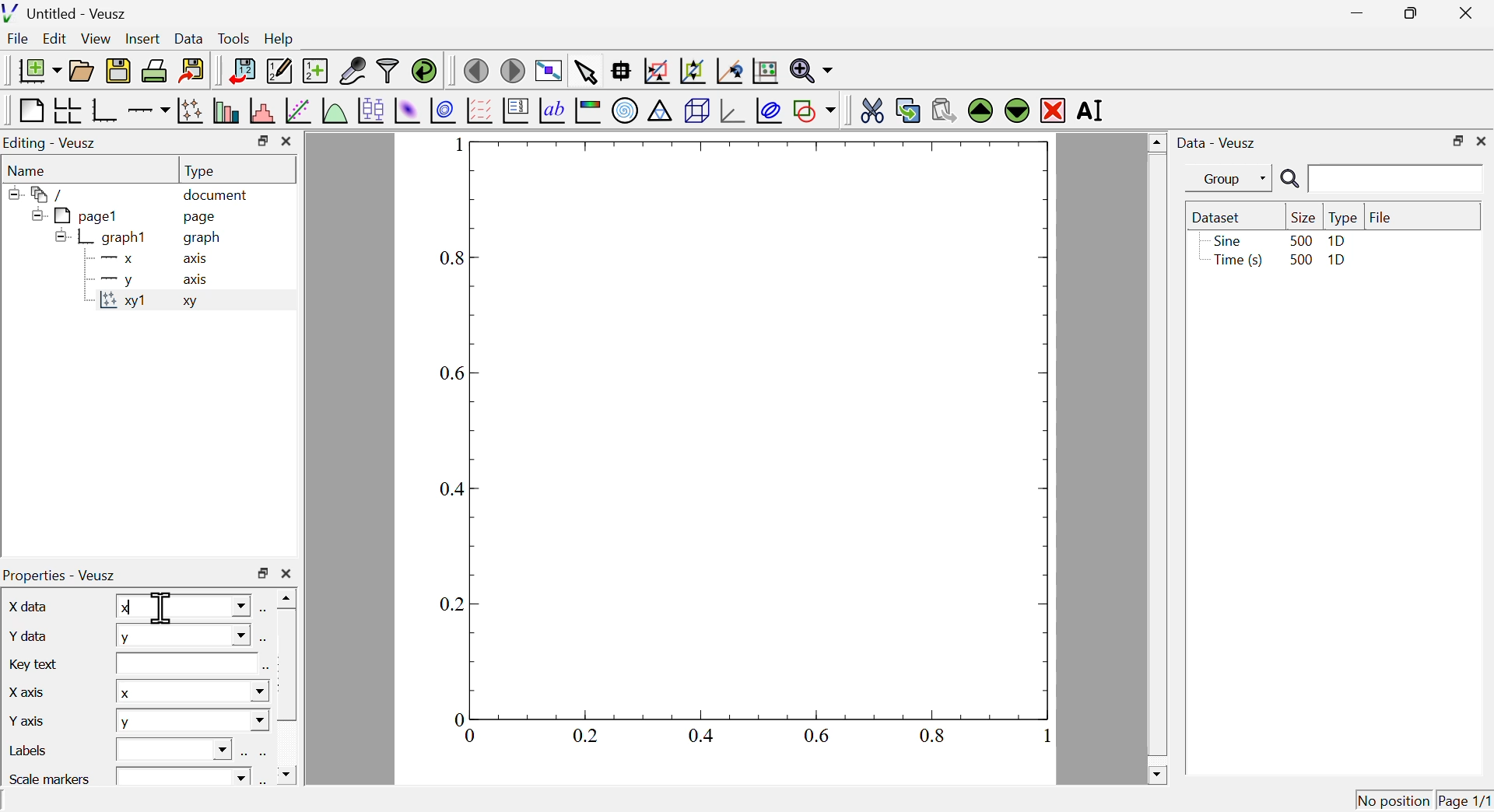 This screenshot has width=1494, height=812. What do you see at coordinates (184, 606) in the screenshot?
I see `x` at bounding box center [184, 606].